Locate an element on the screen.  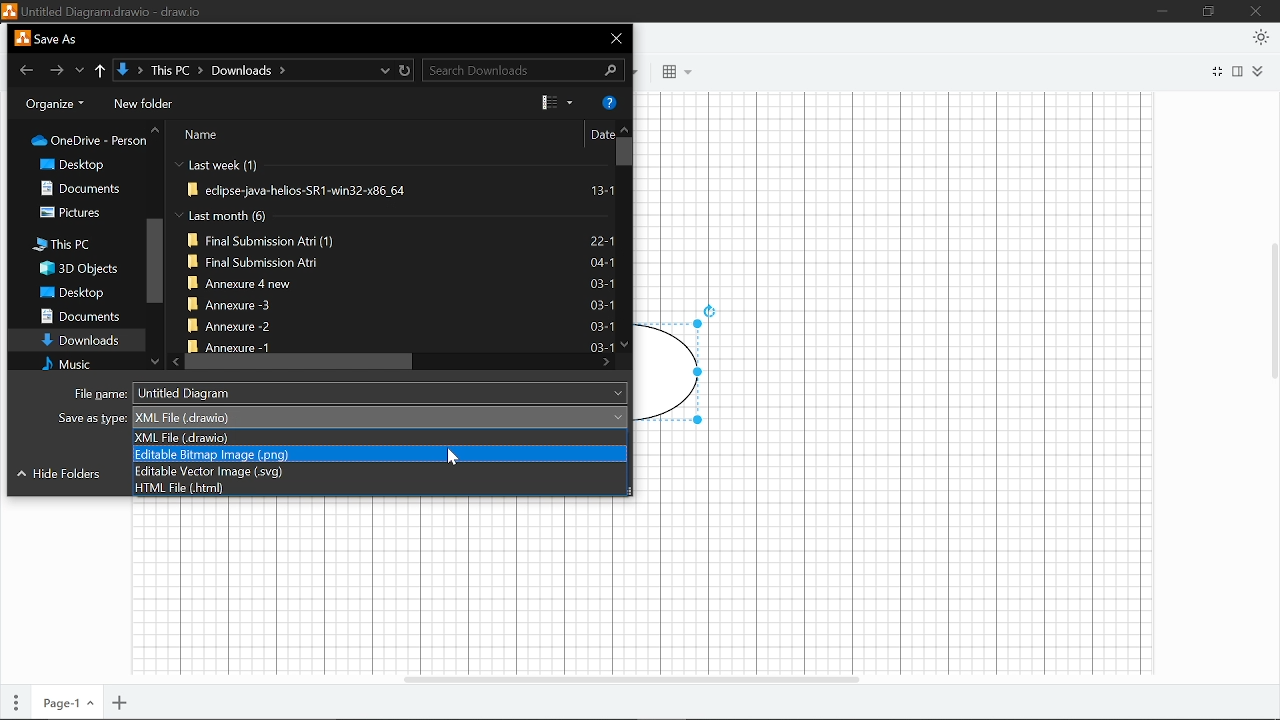
Move down in files in "Downloads" is located at coordinates (623, 344).